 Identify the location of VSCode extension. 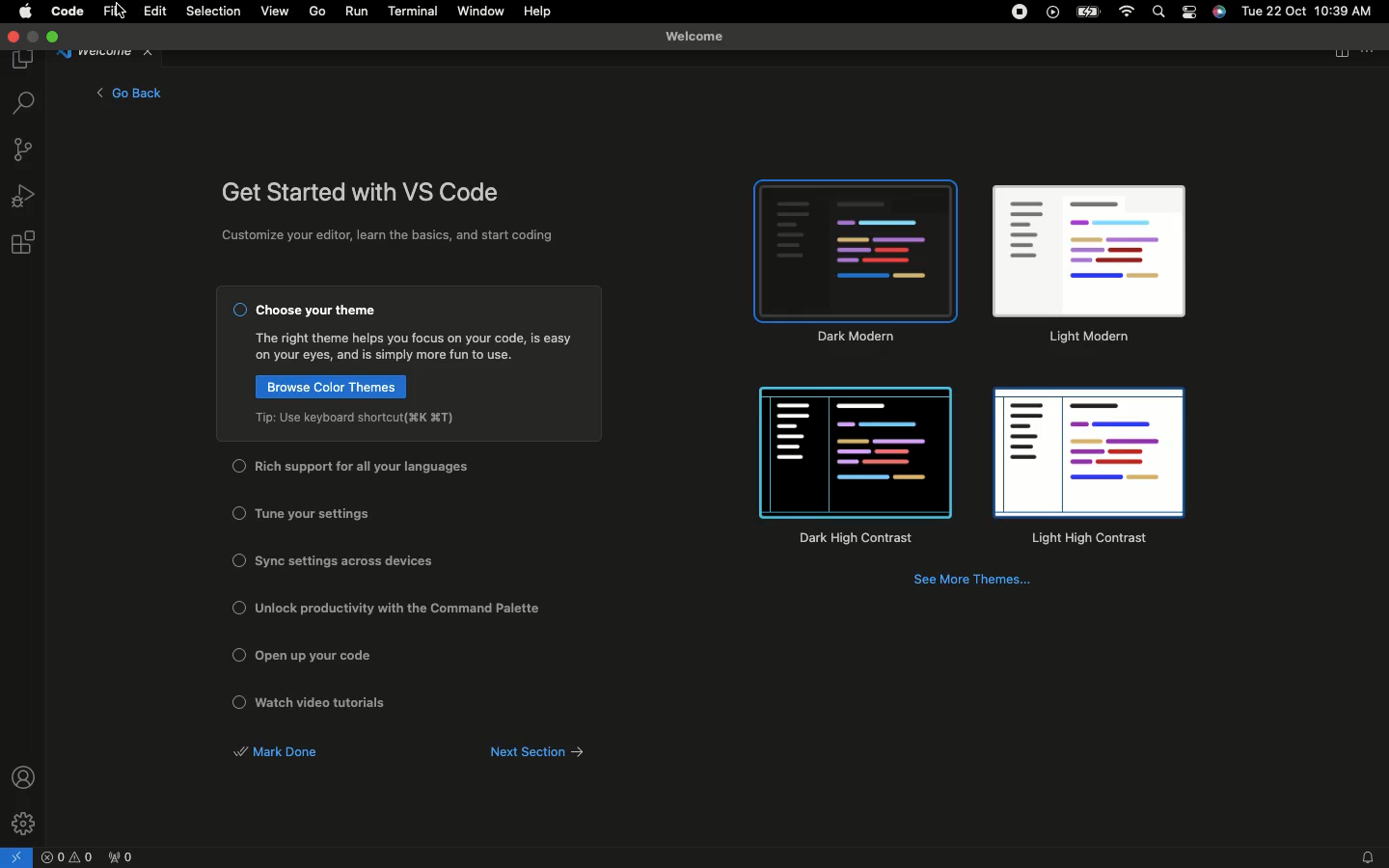
(1052, 14).